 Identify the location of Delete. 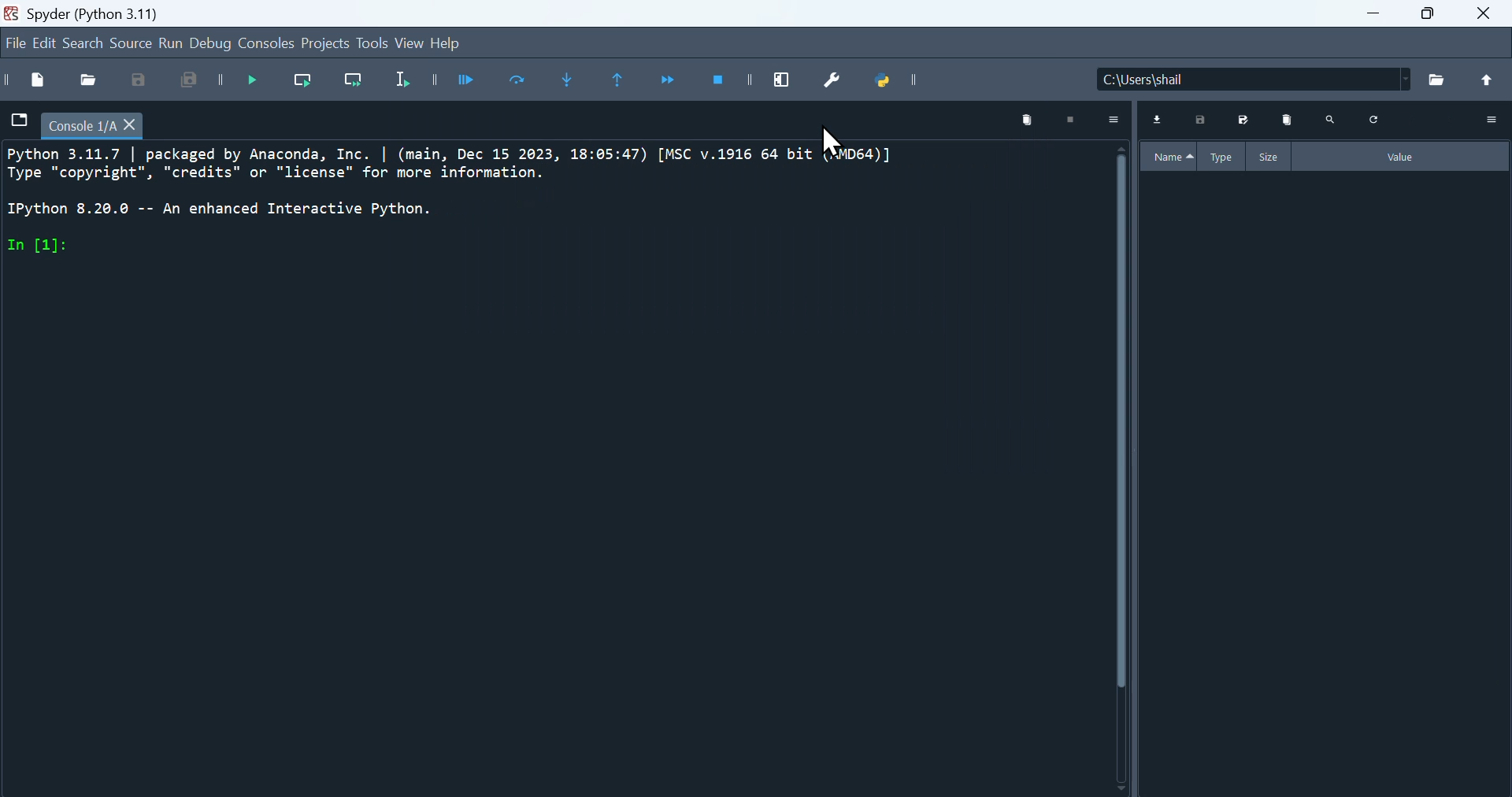
(1289, 120).